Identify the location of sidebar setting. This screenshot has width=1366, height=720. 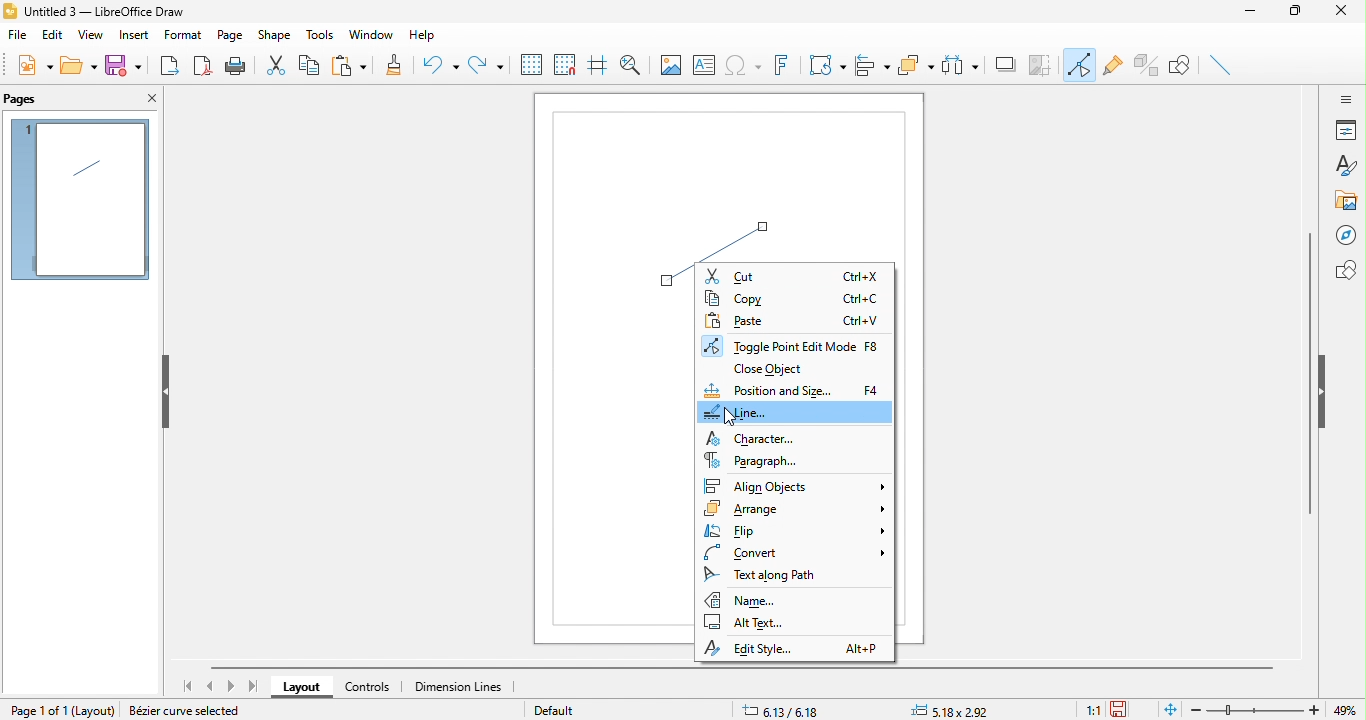
(1346, 98).